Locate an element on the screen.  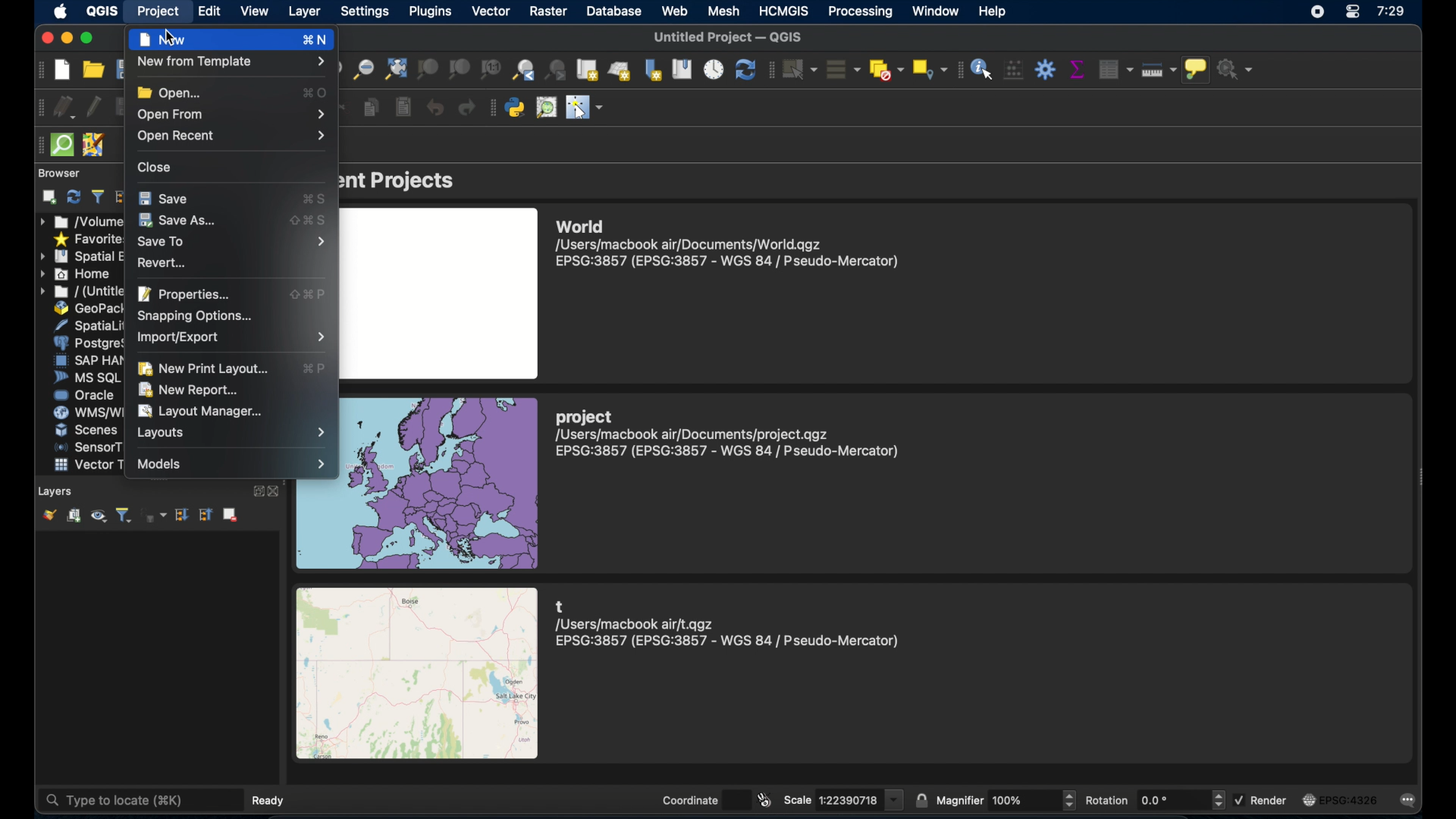
properties is located at coordinates (181, 292).